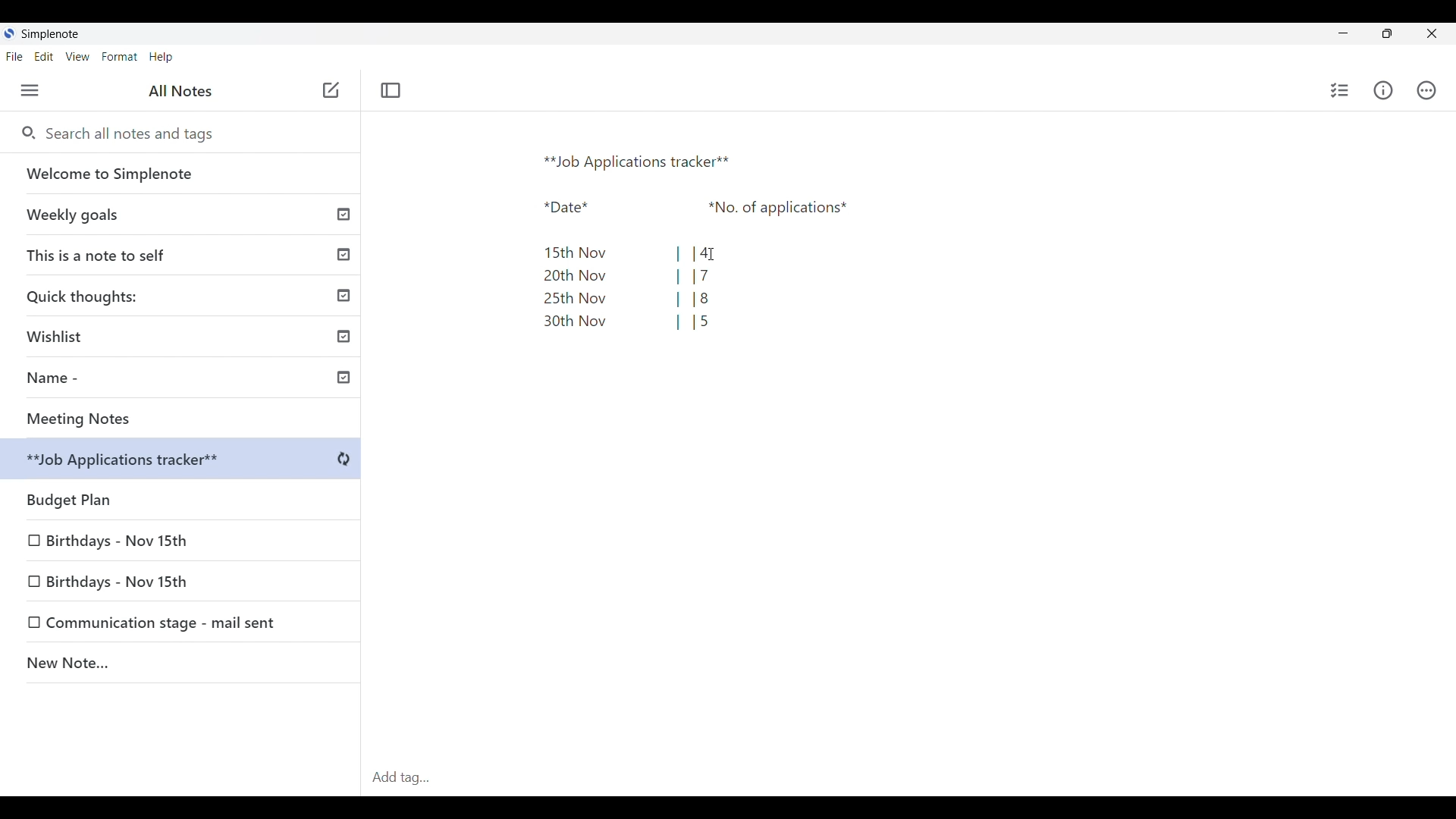 This screenshot has height=819, width=1456. Describe the element at coordinates (722, 255) in the screenshot. I see `Job application for respective dates tracked` at that location.